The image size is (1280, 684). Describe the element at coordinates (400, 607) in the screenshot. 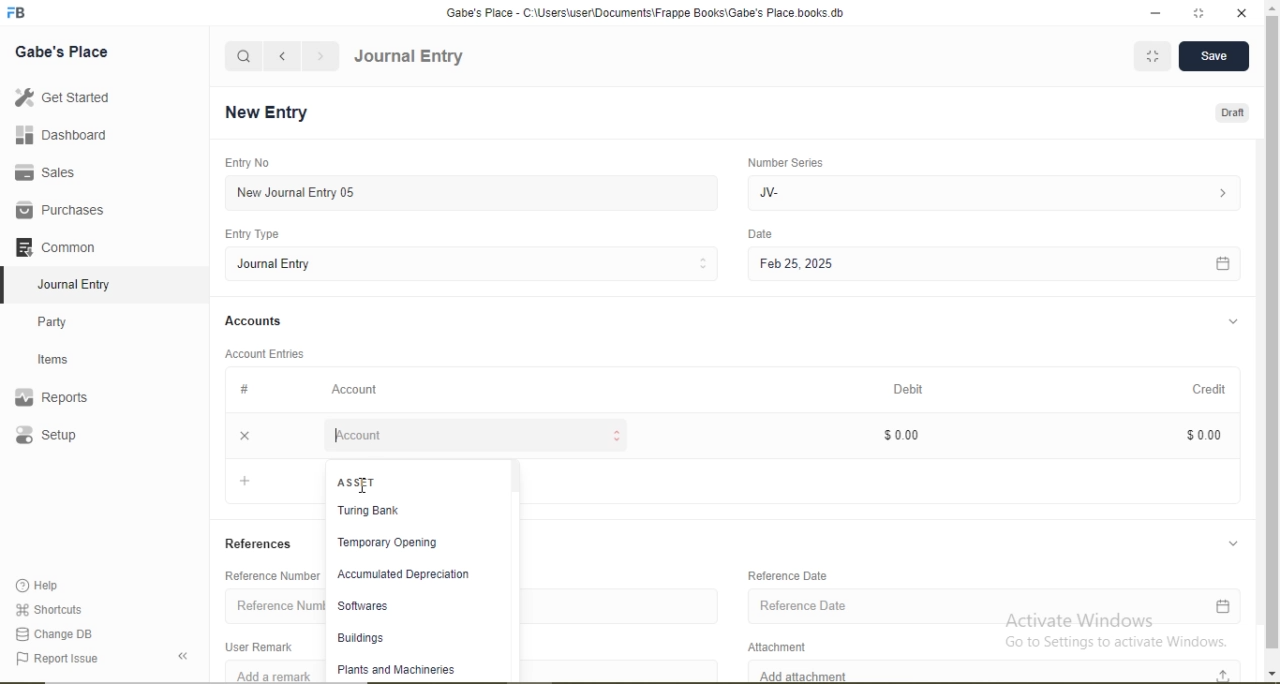

I see `Softwares` at that location.